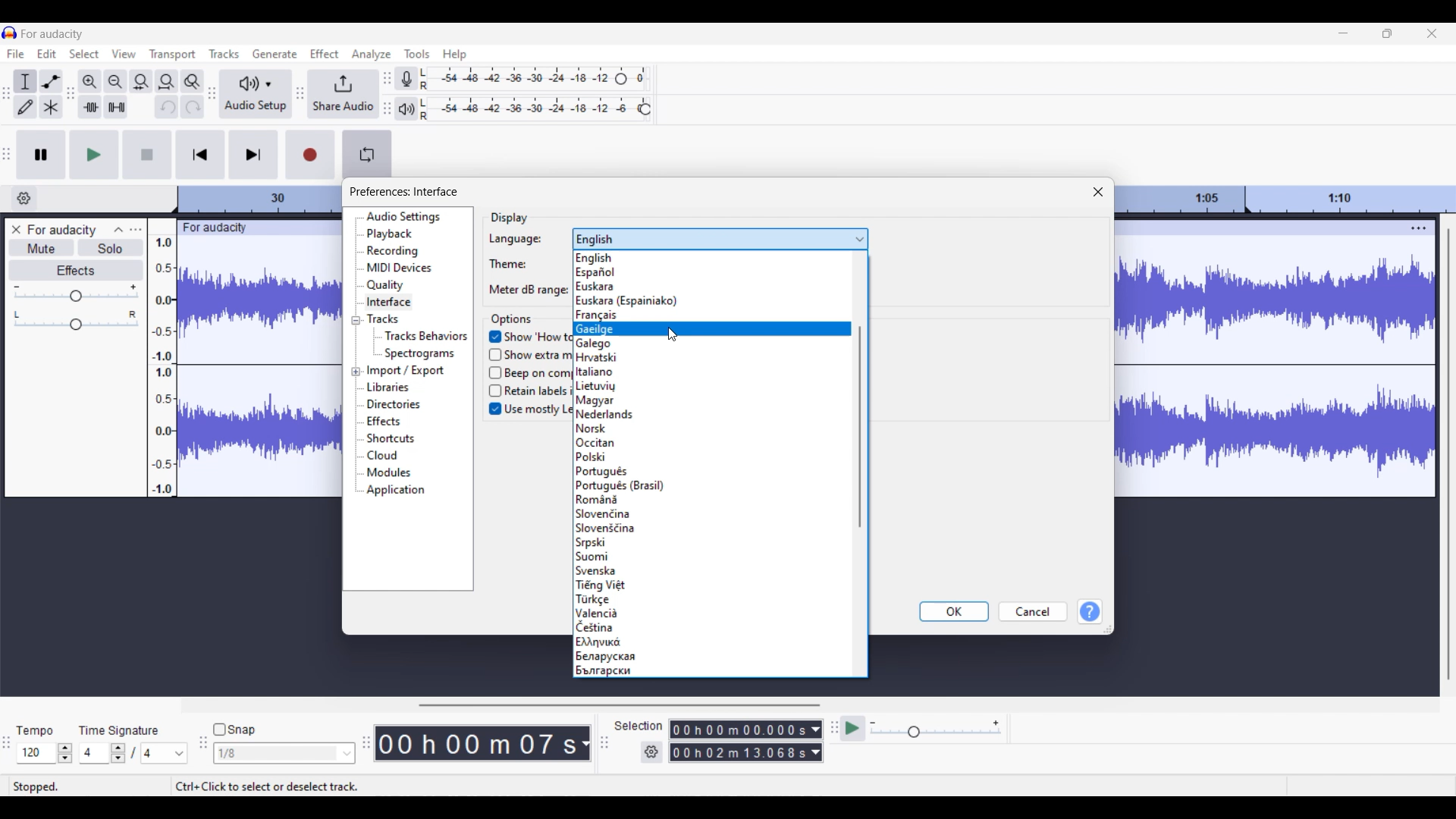 The image size is (1456, 819). Describe the element at coordinates (1420, 227) in the screenshot. I see `Track settings` at that location.